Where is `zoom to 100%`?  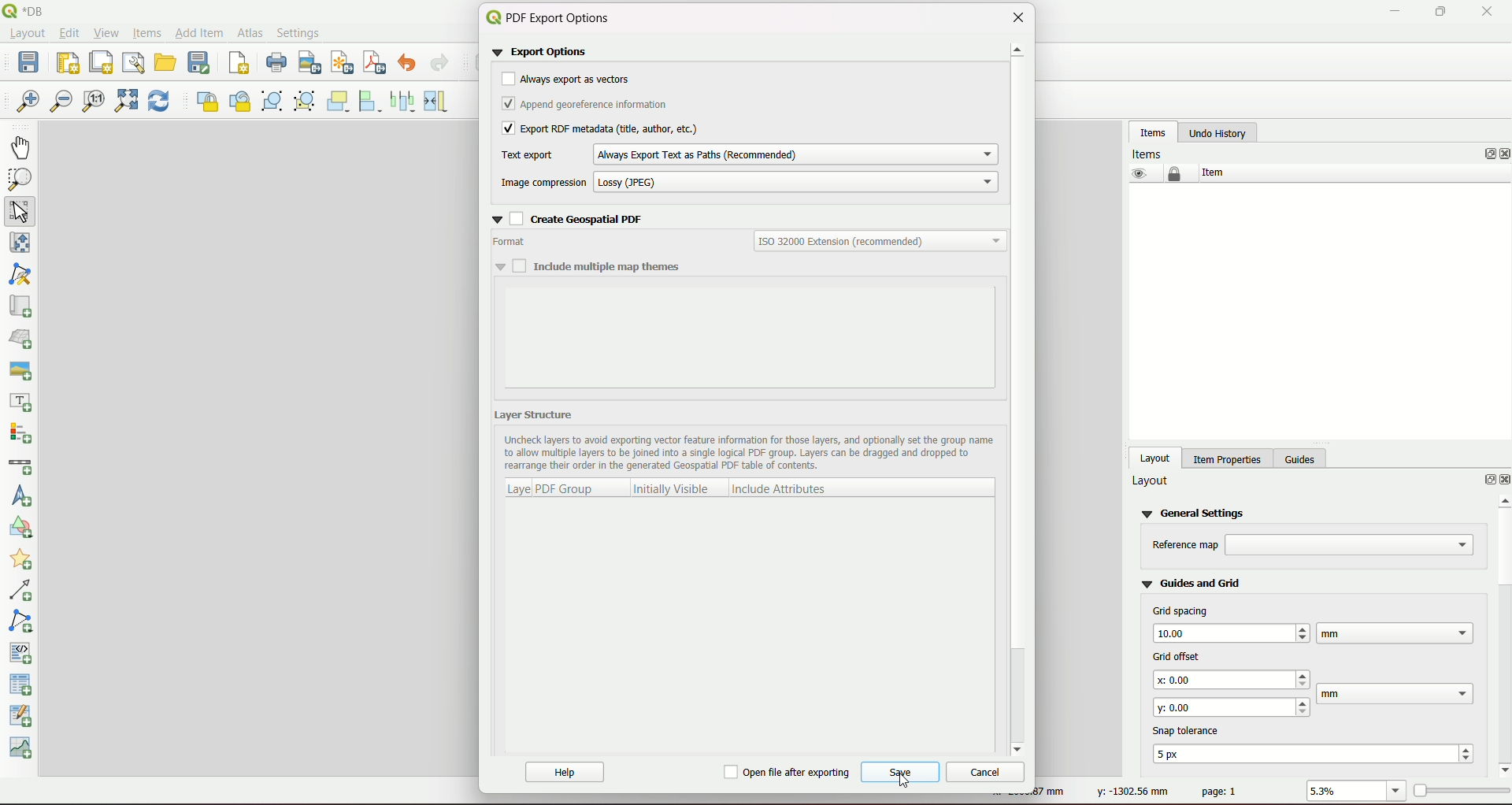
zoom to 100% is located at coordinates (94, 103).